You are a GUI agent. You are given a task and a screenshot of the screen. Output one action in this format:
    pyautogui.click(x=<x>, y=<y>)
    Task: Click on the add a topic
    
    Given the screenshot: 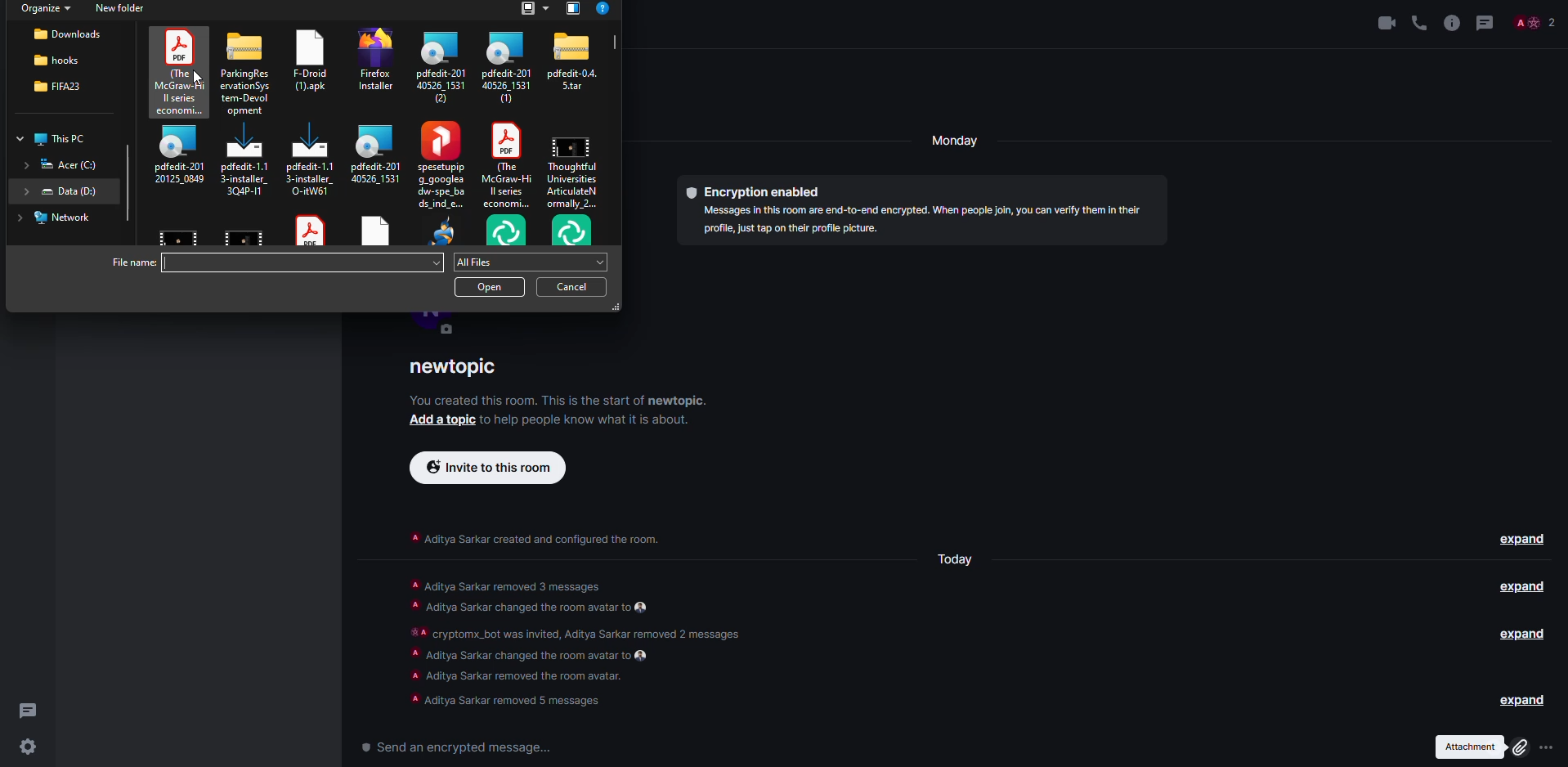 What is the action you would take?
    pyautogui.click(x=439, y=420)
    